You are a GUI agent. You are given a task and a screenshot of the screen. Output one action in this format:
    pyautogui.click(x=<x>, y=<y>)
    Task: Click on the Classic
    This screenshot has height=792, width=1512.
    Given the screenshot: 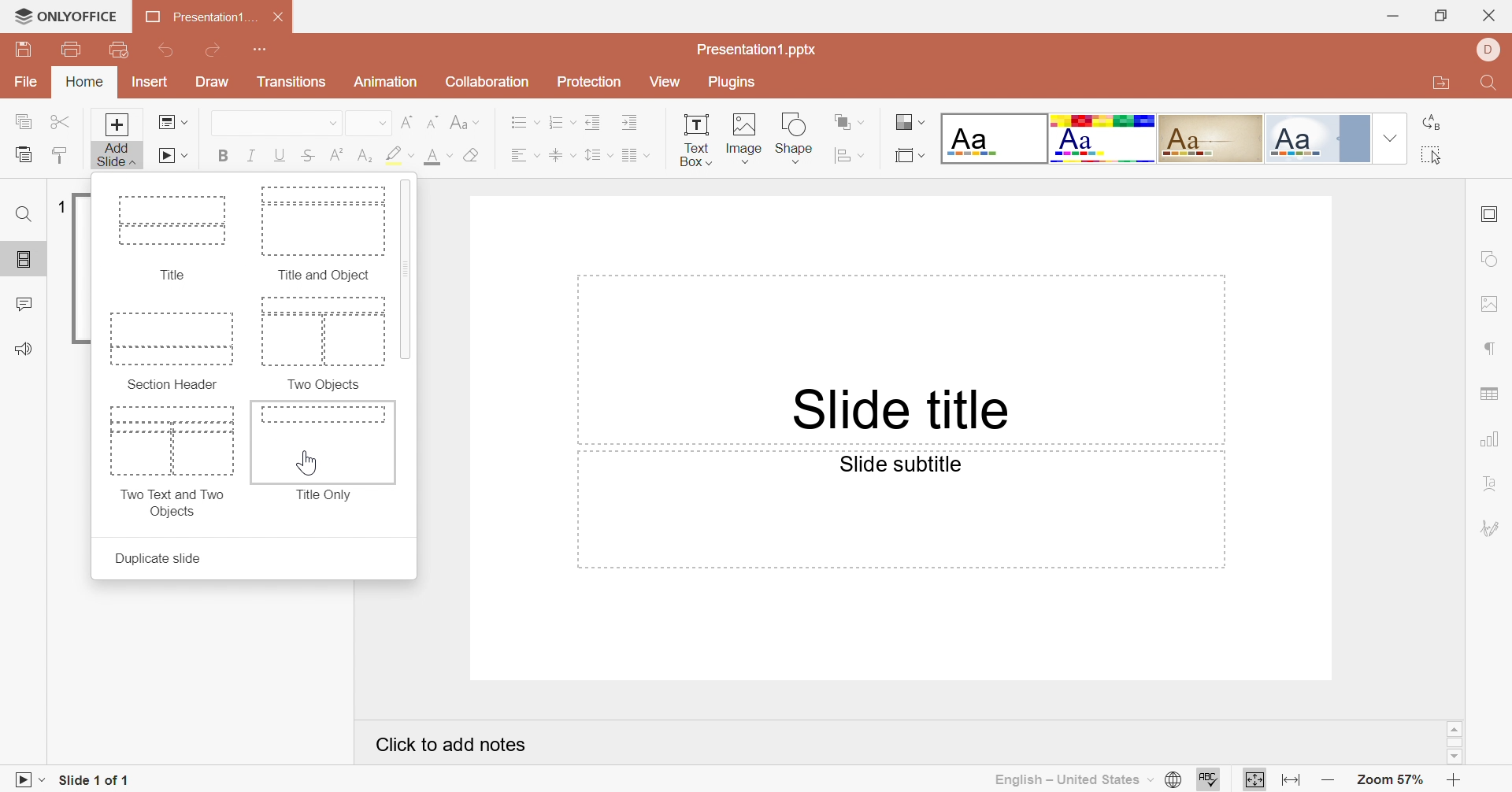 What is the action you would take?
    pyautogui.click(x=1210, y=139)
    